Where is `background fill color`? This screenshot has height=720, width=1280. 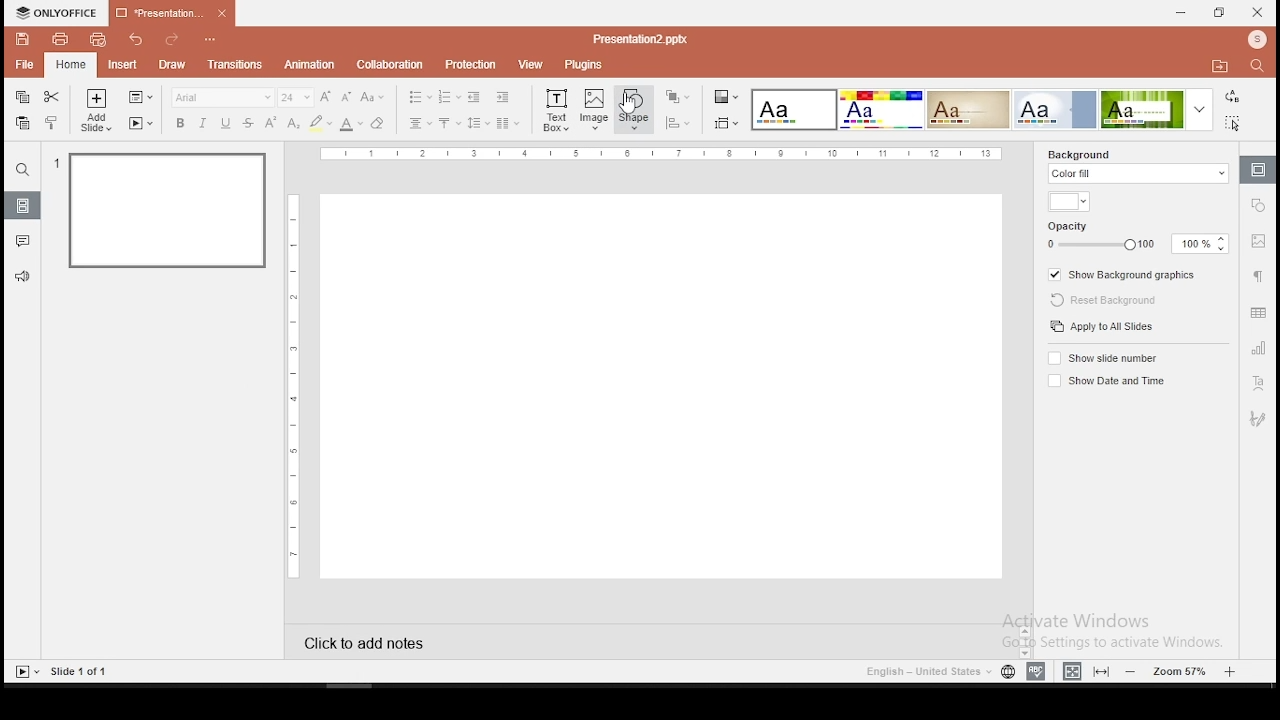
background fill color is located at coordinates (1068, 203).